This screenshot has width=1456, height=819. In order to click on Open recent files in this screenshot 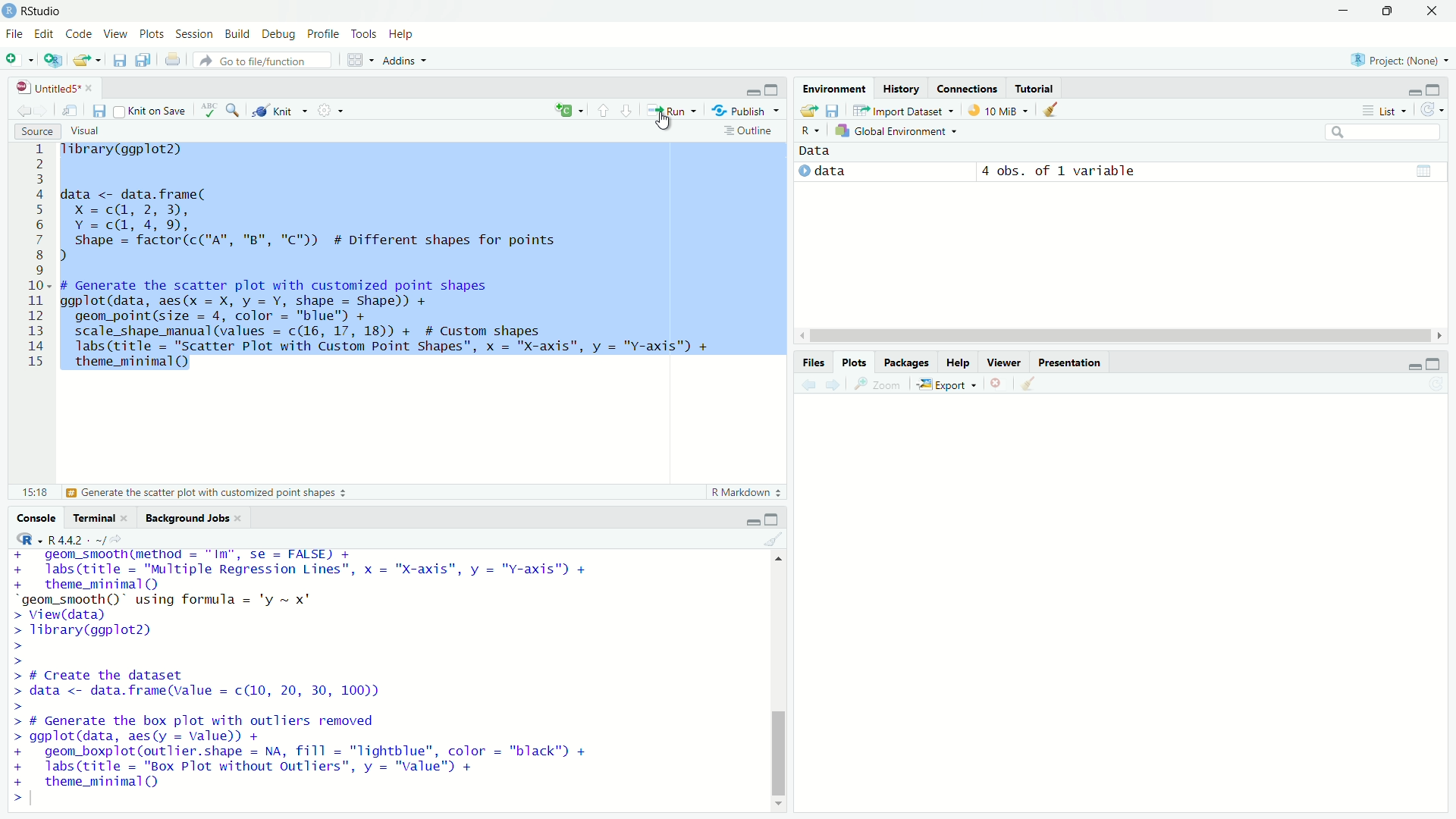, I will do `click(99, 60)`.